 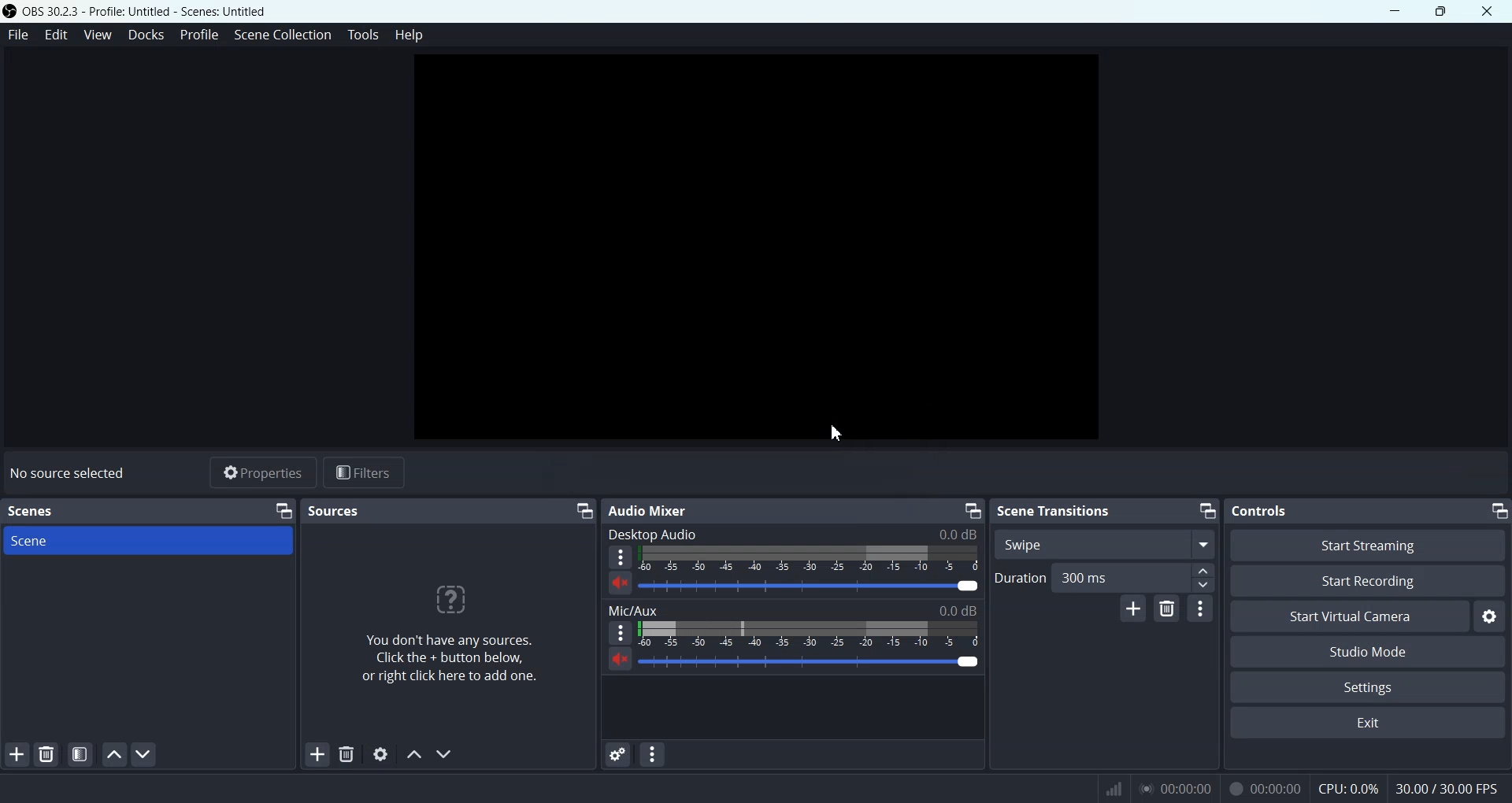 I want to click on Move scene Down, so click(x=146, y=754).